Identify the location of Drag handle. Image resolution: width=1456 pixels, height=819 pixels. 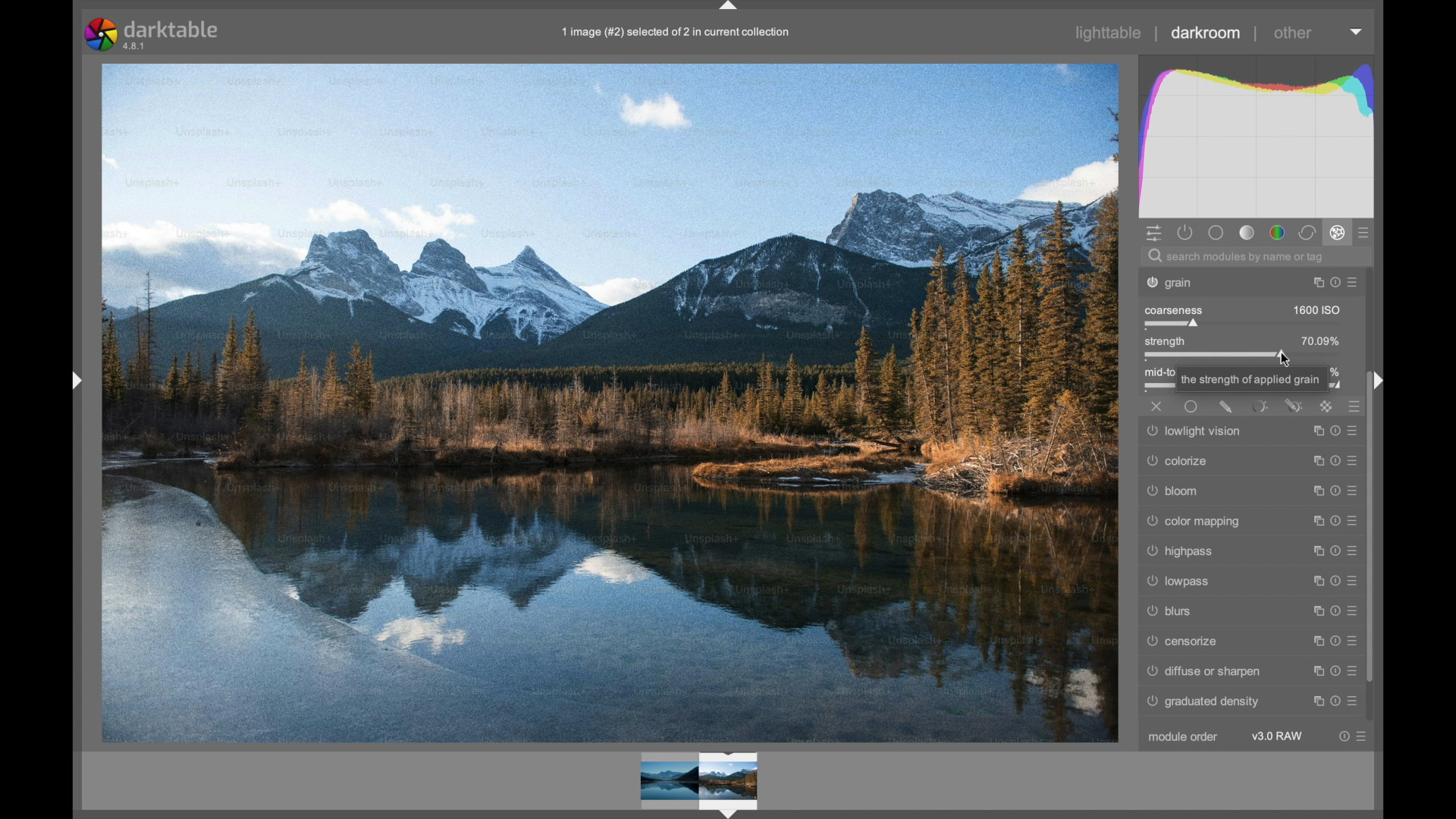
(1380, 380).